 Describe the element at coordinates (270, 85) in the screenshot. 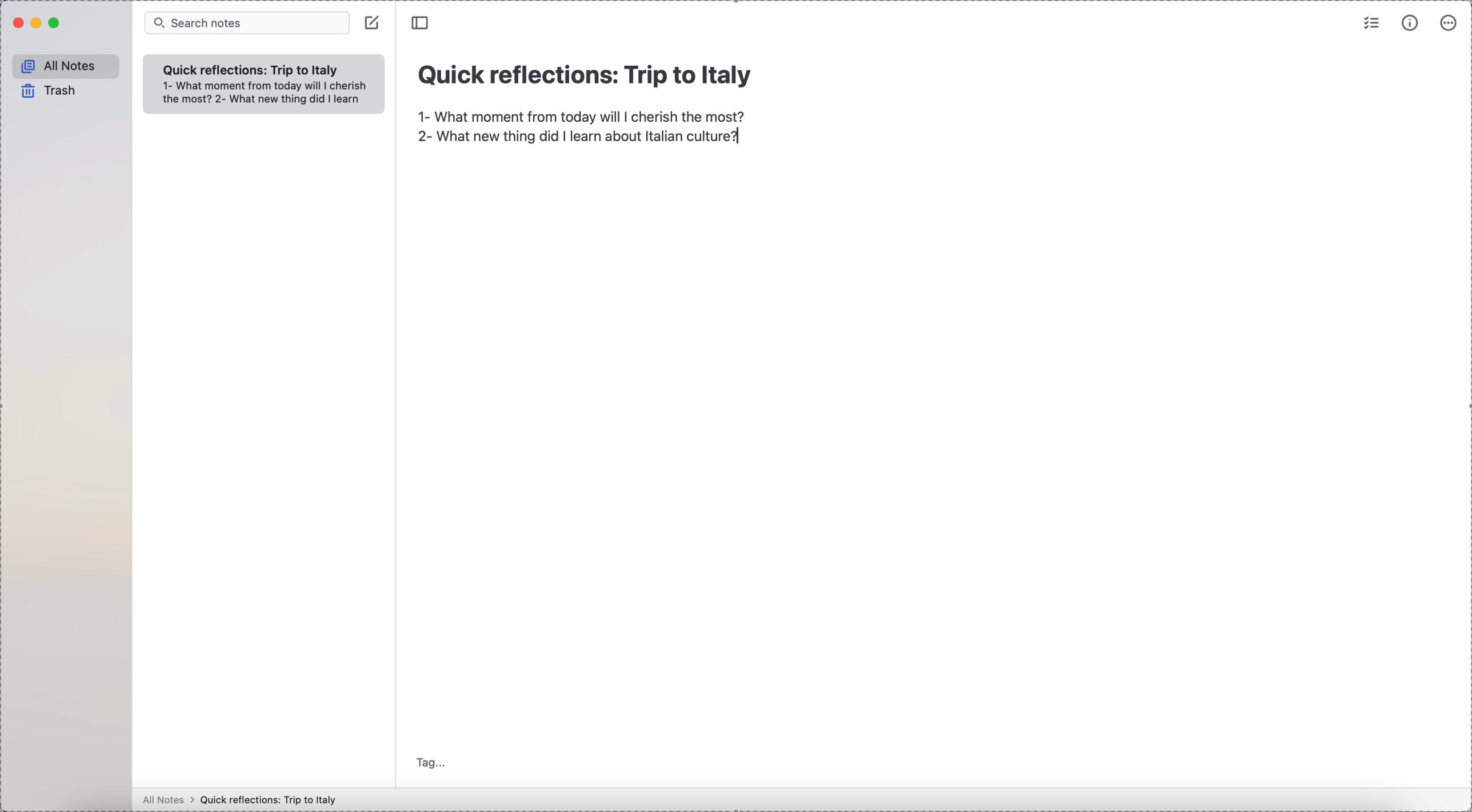

I see `1- What moment from today will I cherish the most?` at that location.